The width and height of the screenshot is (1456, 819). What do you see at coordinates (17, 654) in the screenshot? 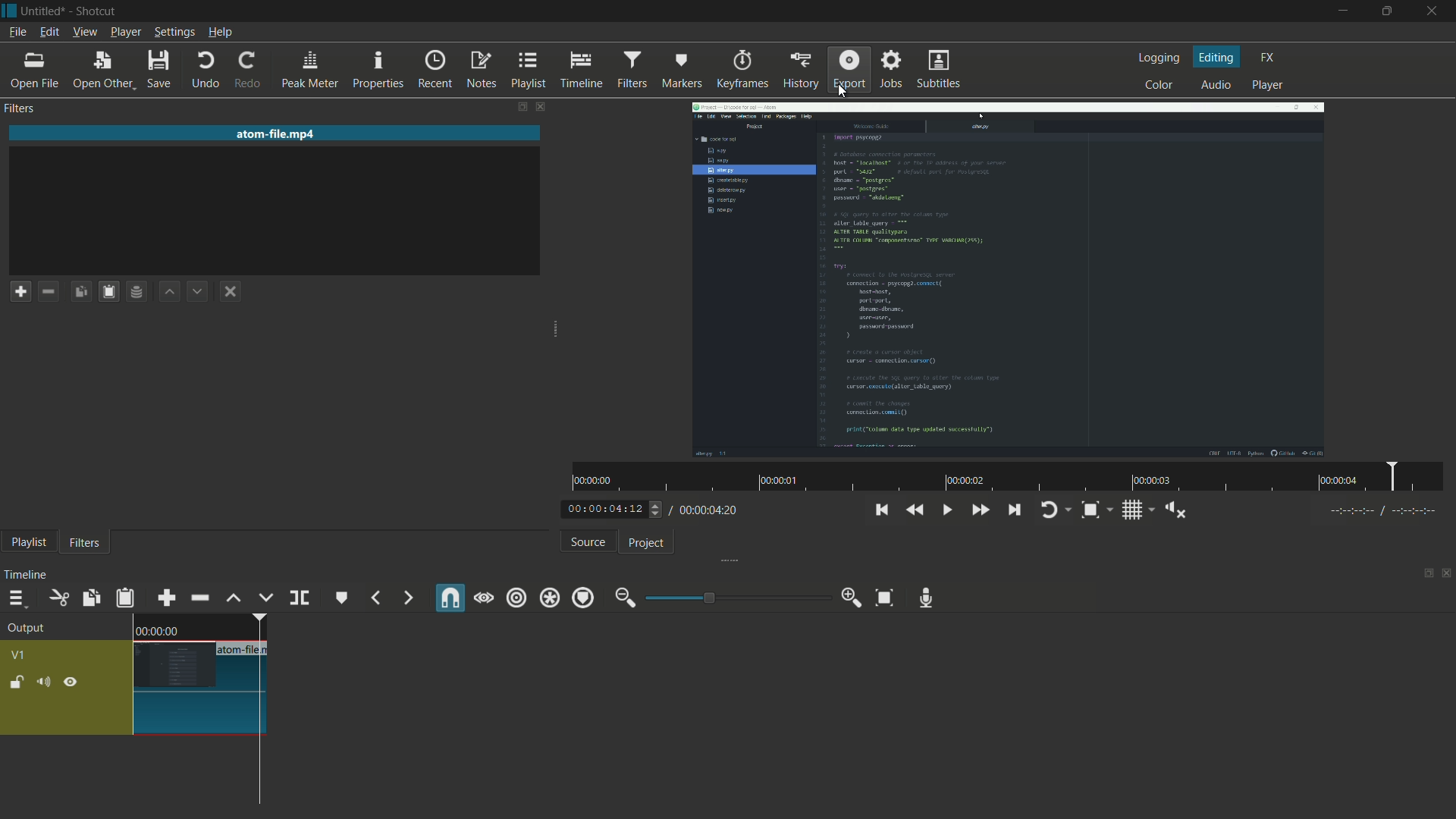
I see `v1` at bounding box center [17, 654].